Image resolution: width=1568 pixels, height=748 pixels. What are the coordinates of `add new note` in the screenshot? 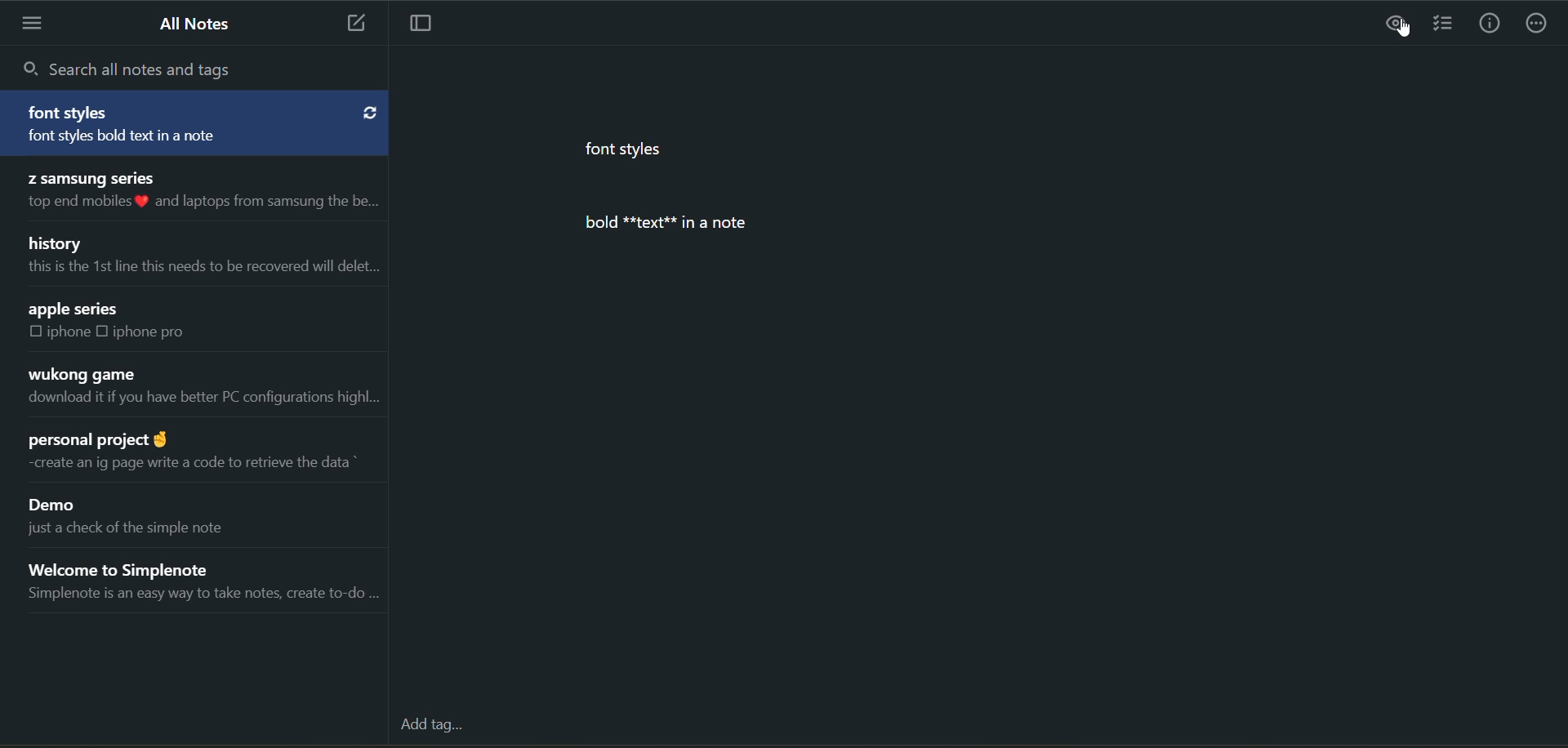 It's located at (350, 24).